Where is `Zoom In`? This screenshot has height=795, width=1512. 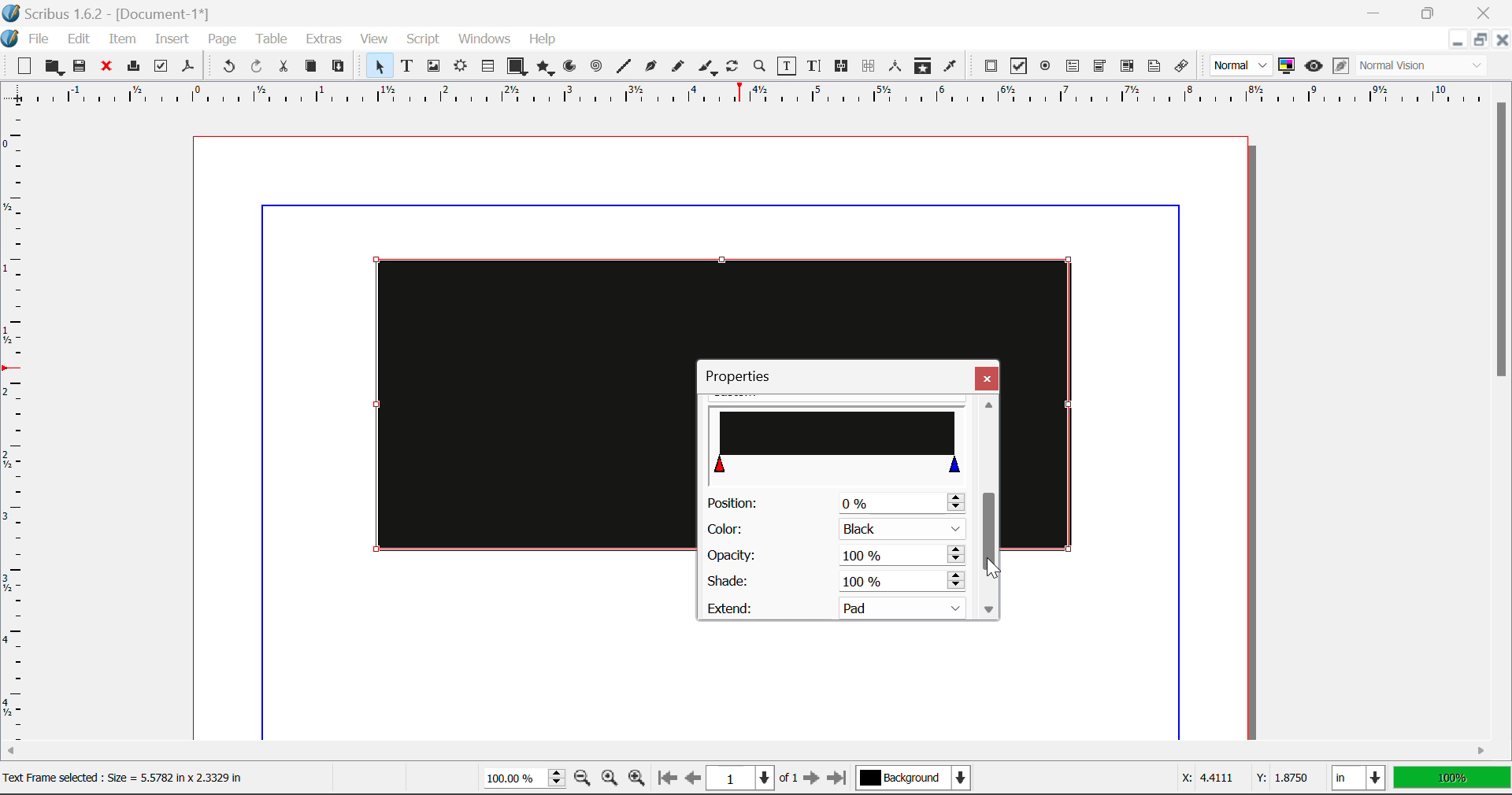
Zoom In is located at coordinates (637, 780).